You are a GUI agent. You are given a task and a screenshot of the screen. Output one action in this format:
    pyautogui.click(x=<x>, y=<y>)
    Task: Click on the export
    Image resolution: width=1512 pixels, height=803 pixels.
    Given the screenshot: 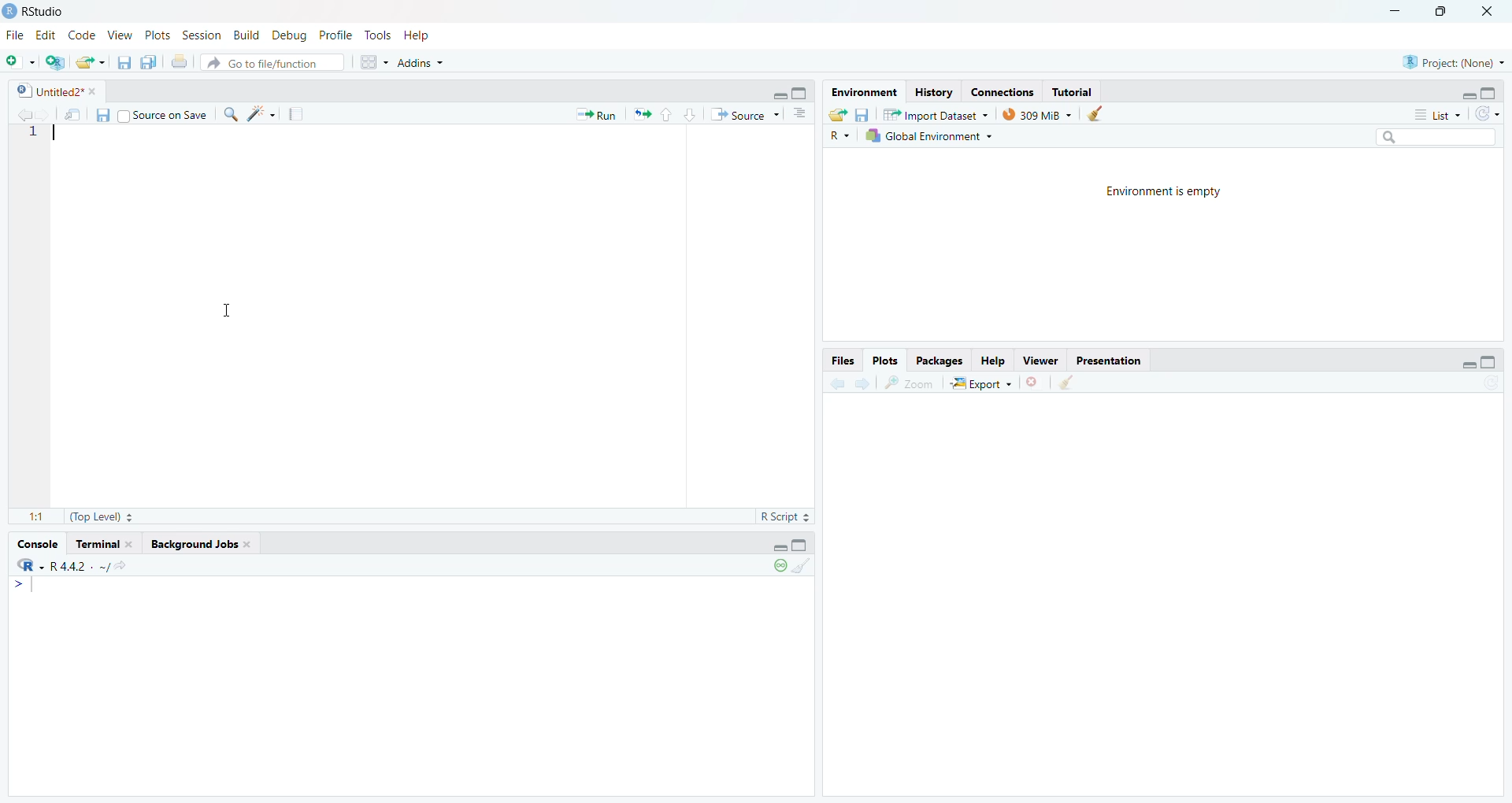 What is the action you would take?
    pyautogui.click(x=836, y=115)
    